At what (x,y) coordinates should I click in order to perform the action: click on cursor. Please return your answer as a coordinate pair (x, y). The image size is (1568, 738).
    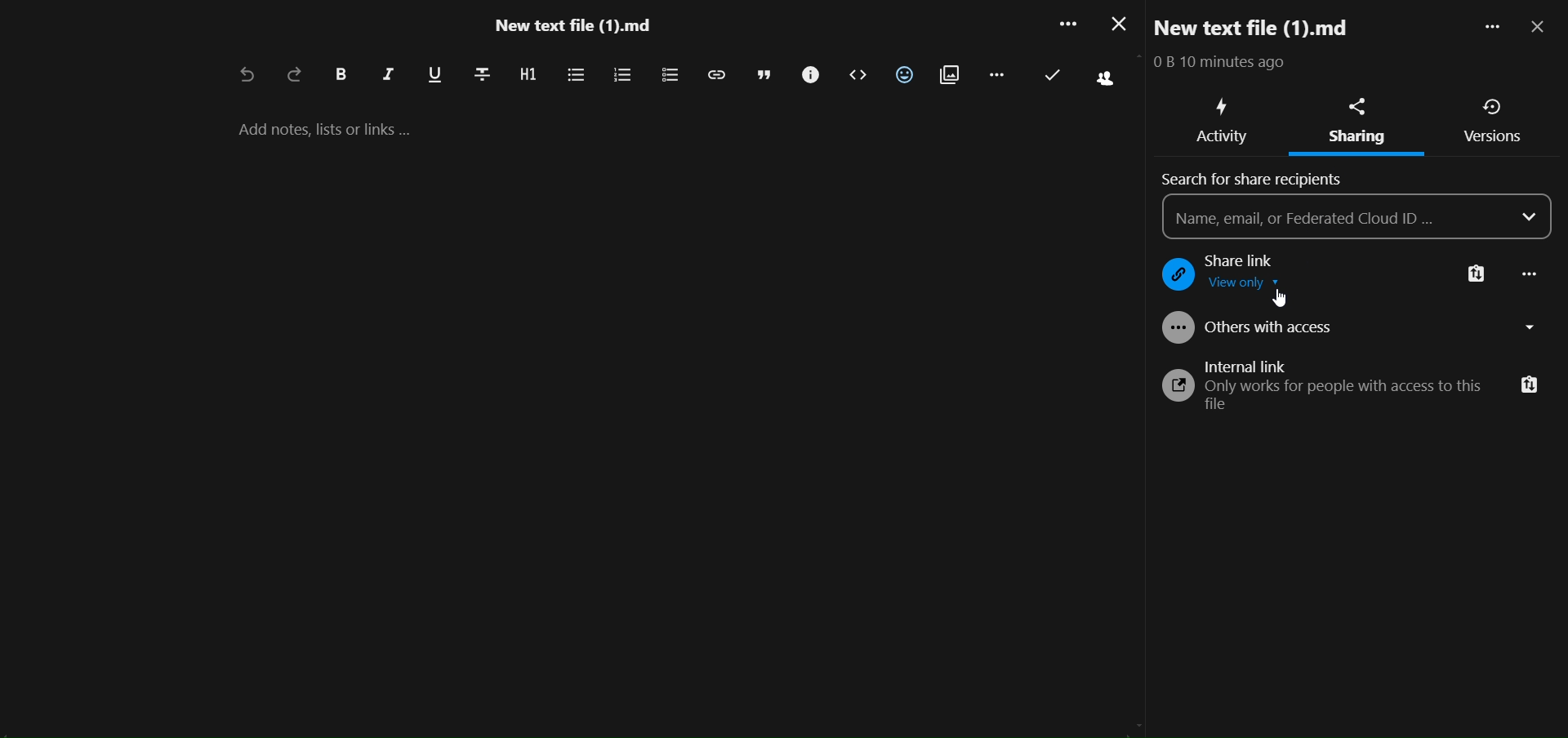
    Looking at the image, I should click on (1281, 298).